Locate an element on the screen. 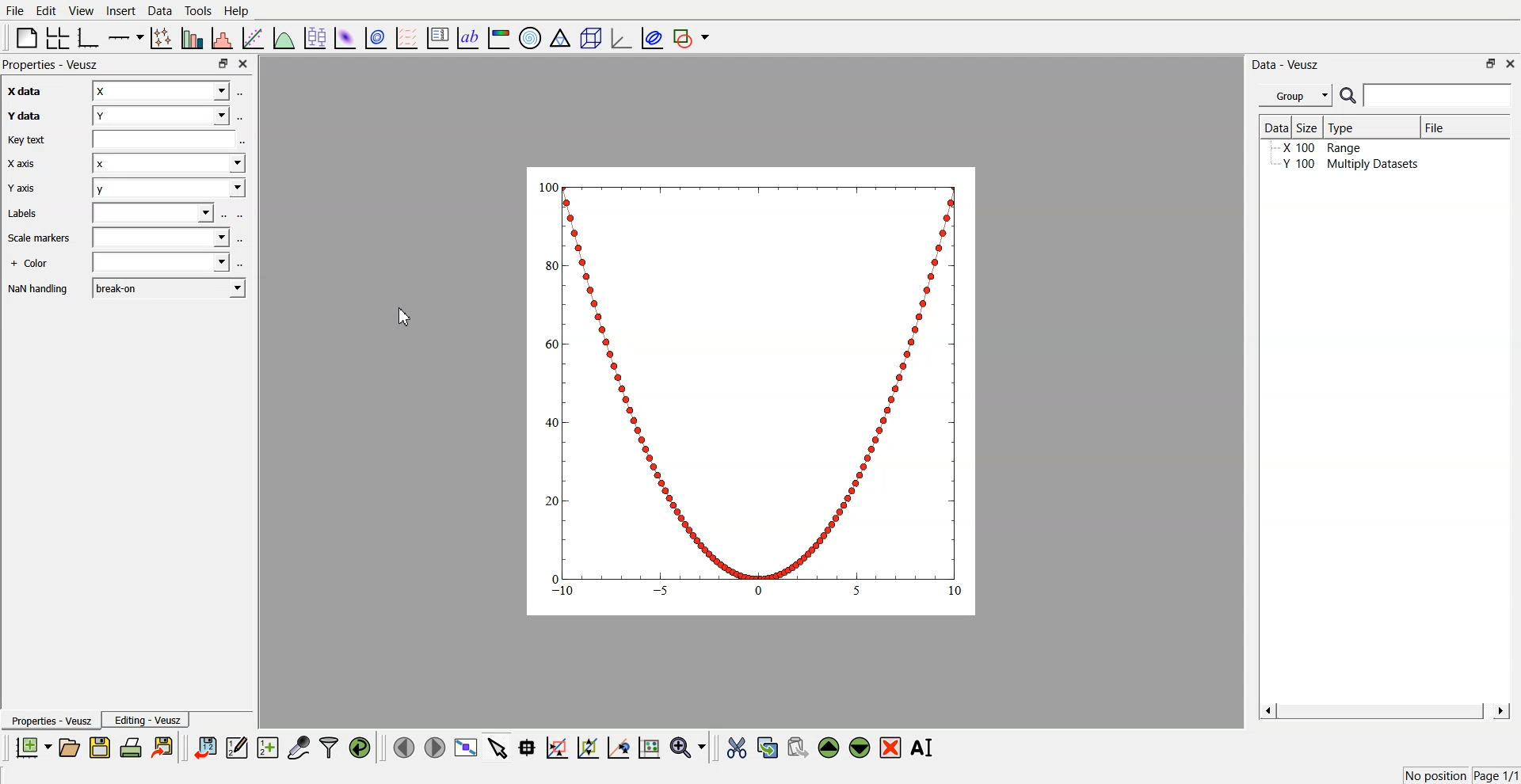 Image resolution: width=1521 pixels, height=784 pixels. scroll bar is located at coordinates (1383, 710).